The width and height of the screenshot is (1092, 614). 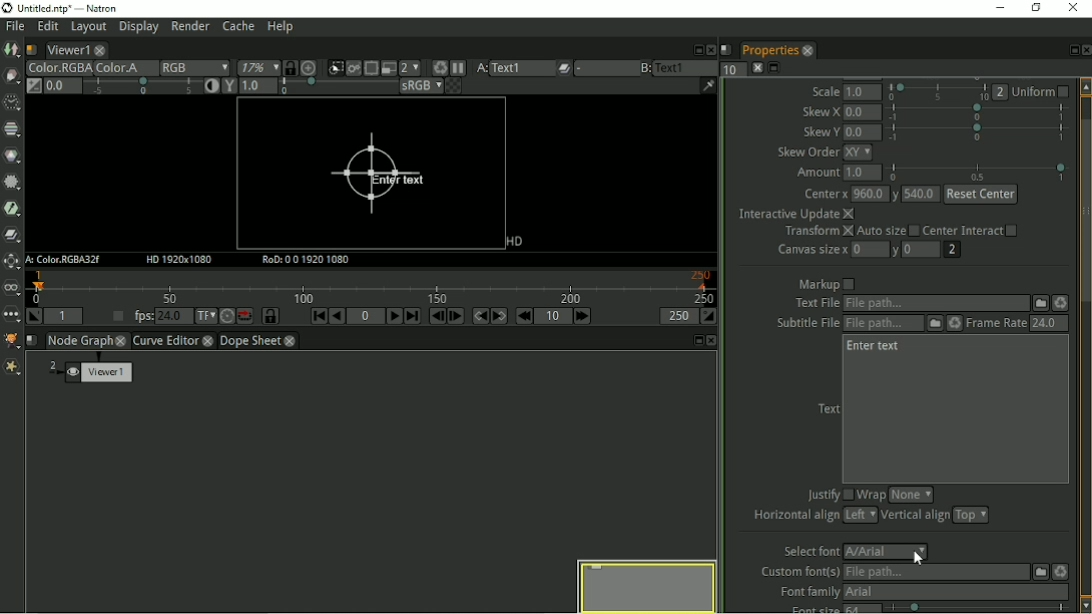 I want to click on Current frame, so click(x=366, y=316).